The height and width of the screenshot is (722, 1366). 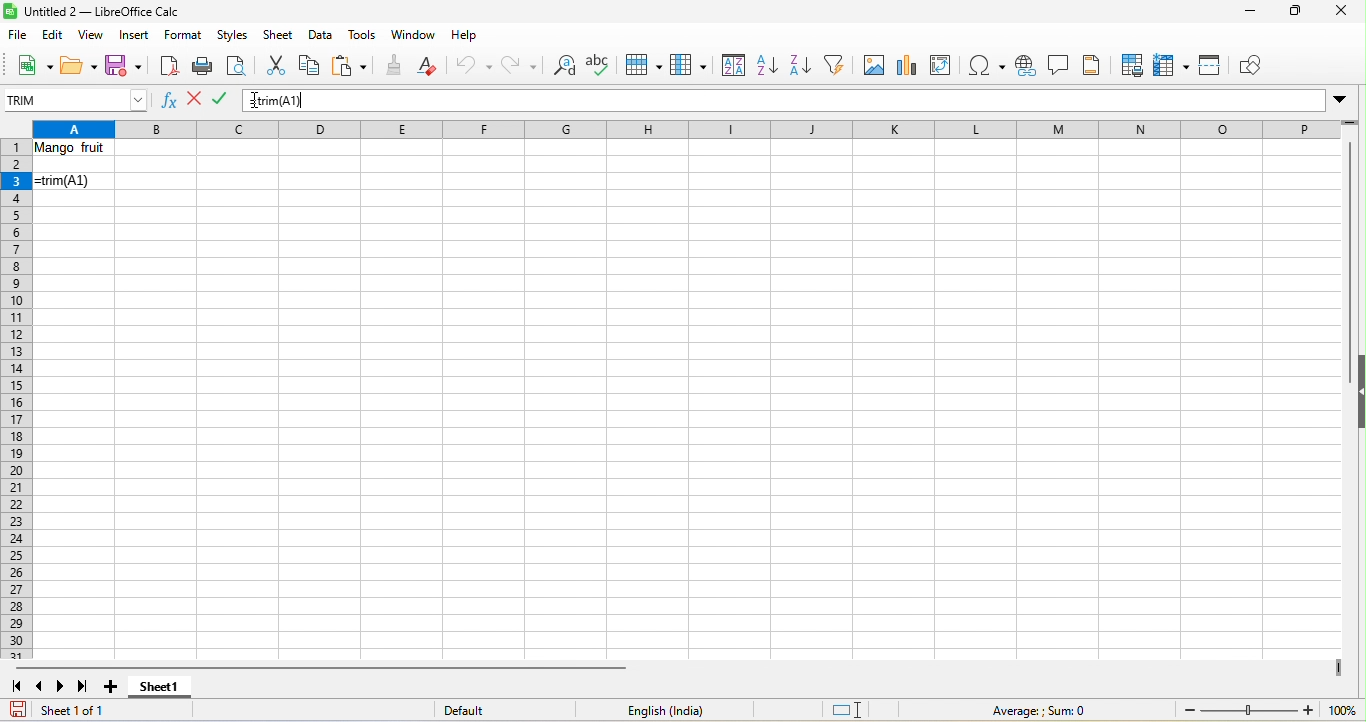 I want to click on window, so click(x=416, y=34).